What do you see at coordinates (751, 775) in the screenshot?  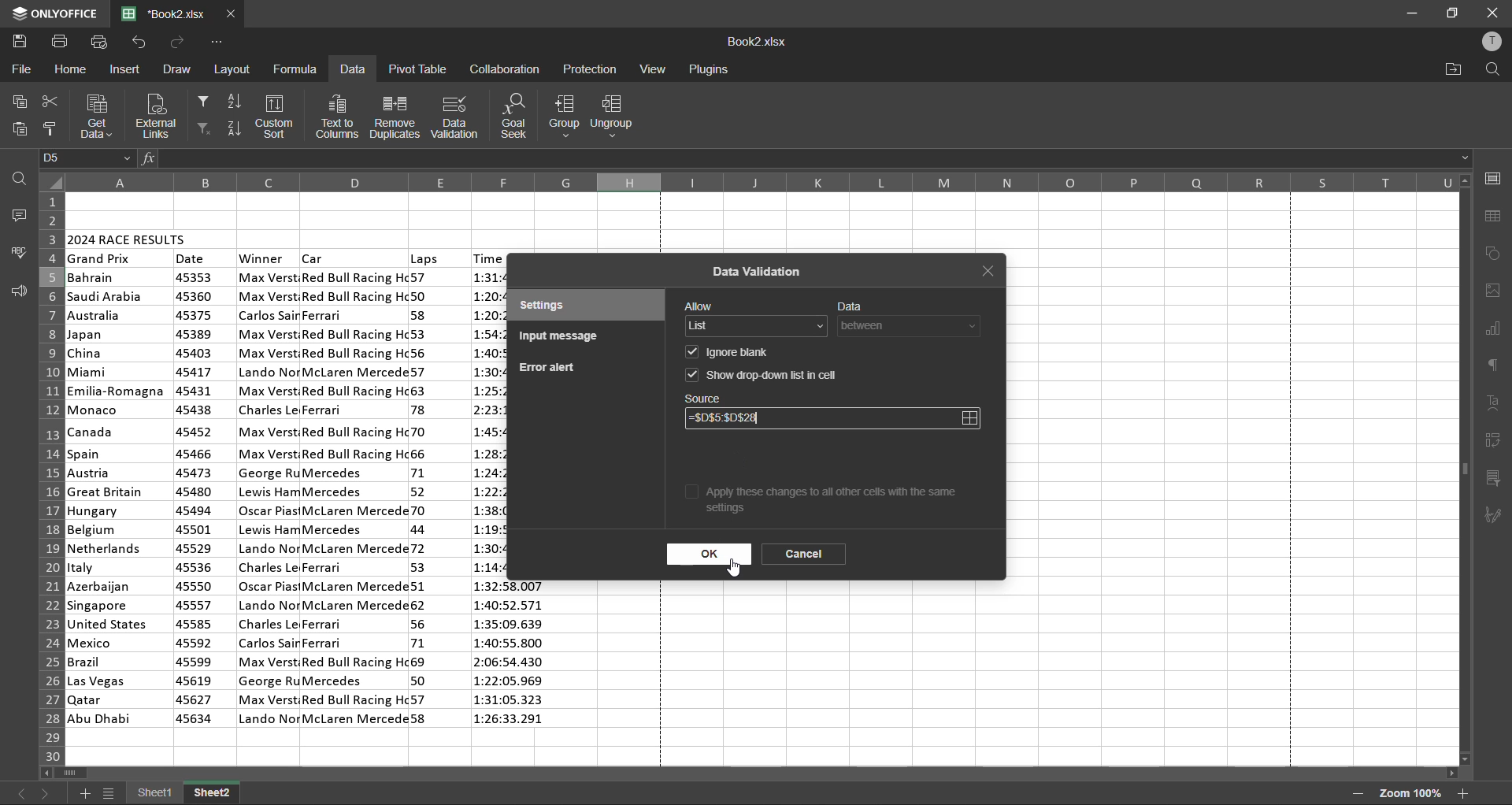 I see `scrollbar` at bounding box center [751, 775].